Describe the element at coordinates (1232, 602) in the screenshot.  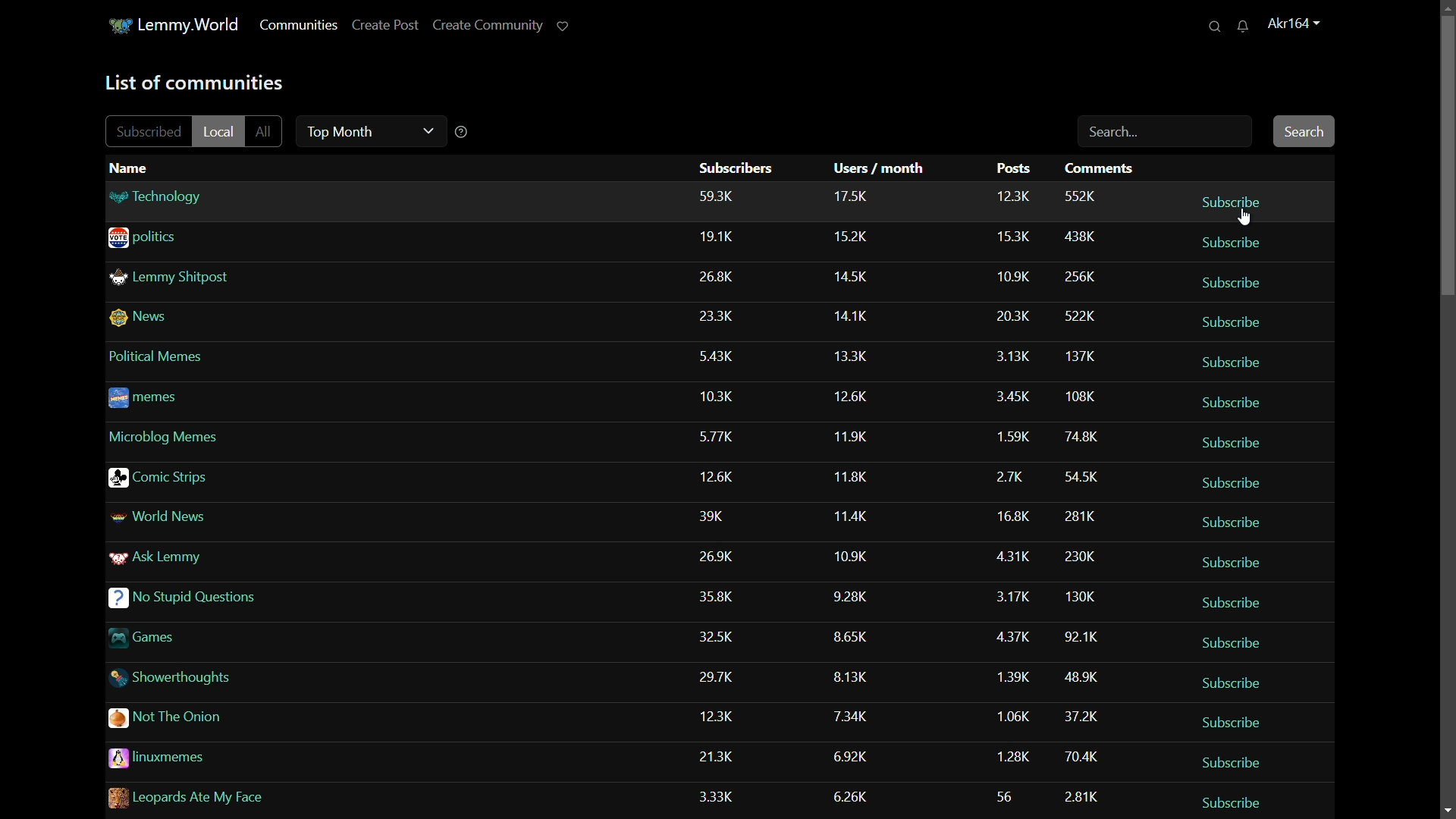
I see `subscribe/unsubscribe` at that location.